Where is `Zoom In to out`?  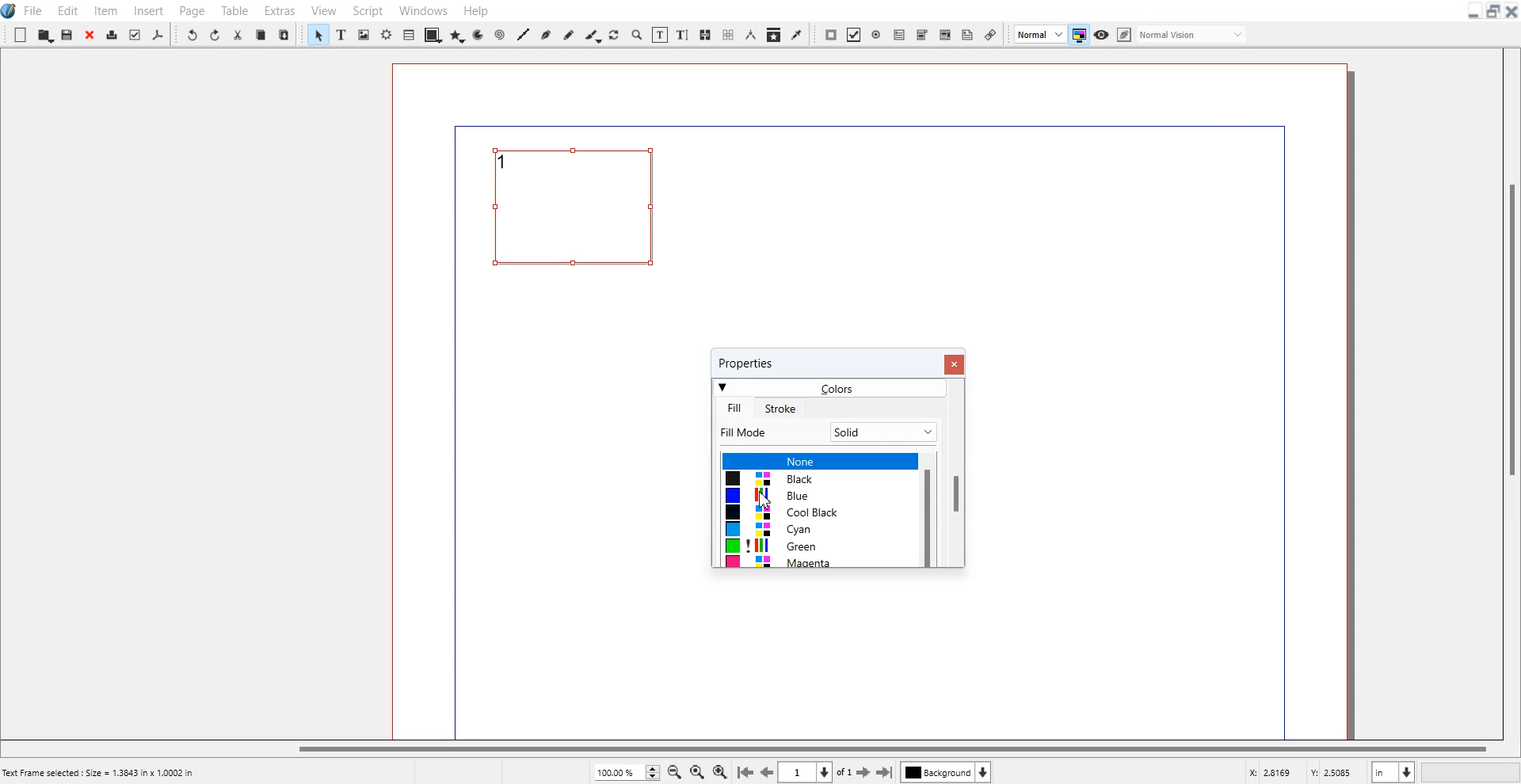
Zoom In to out is located at coordinates (637, 34).